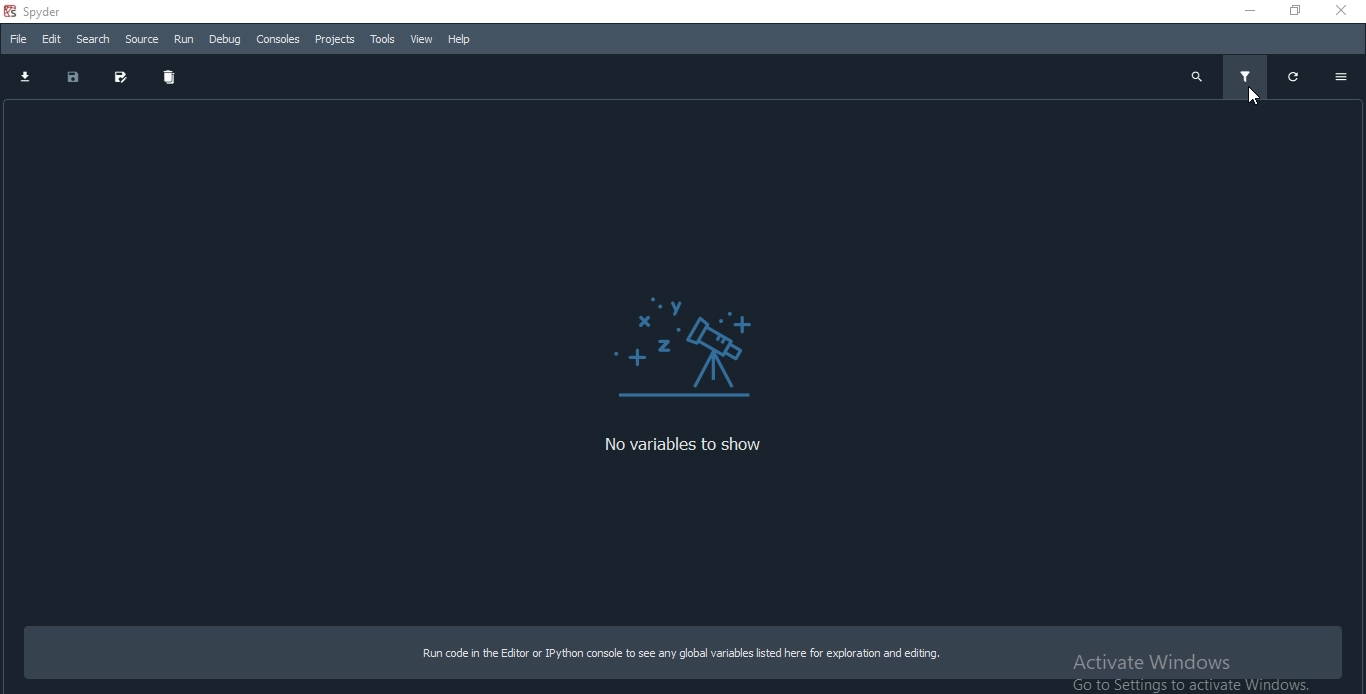  What do you see at coordinates (1344, 11) in the screenshot?
I see `Close` at bounding box center [1344, 11].